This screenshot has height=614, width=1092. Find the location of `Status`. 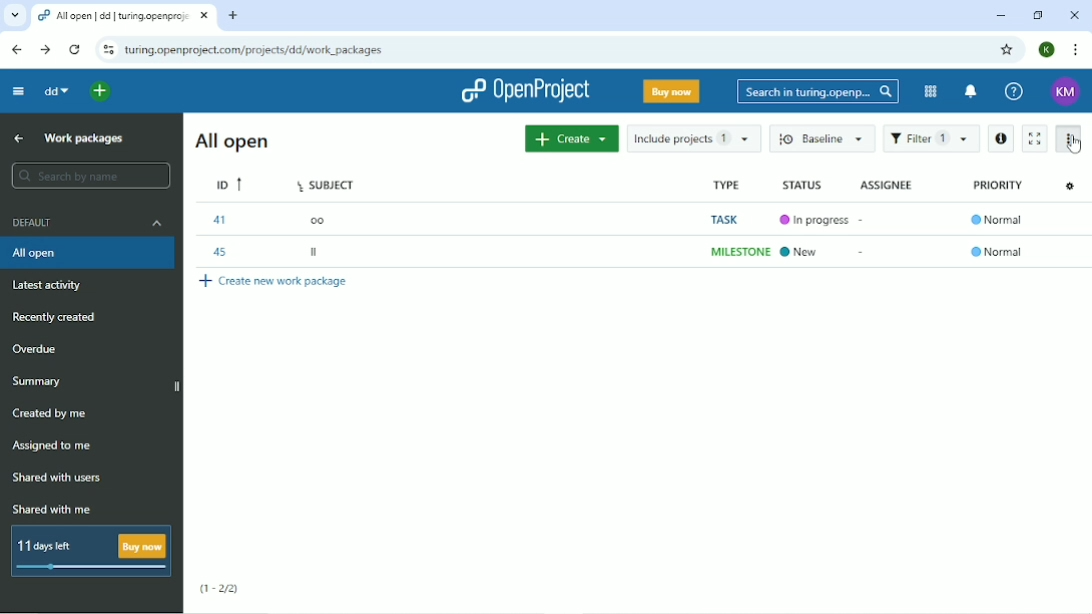

Status is located at coordinates (802, 184).